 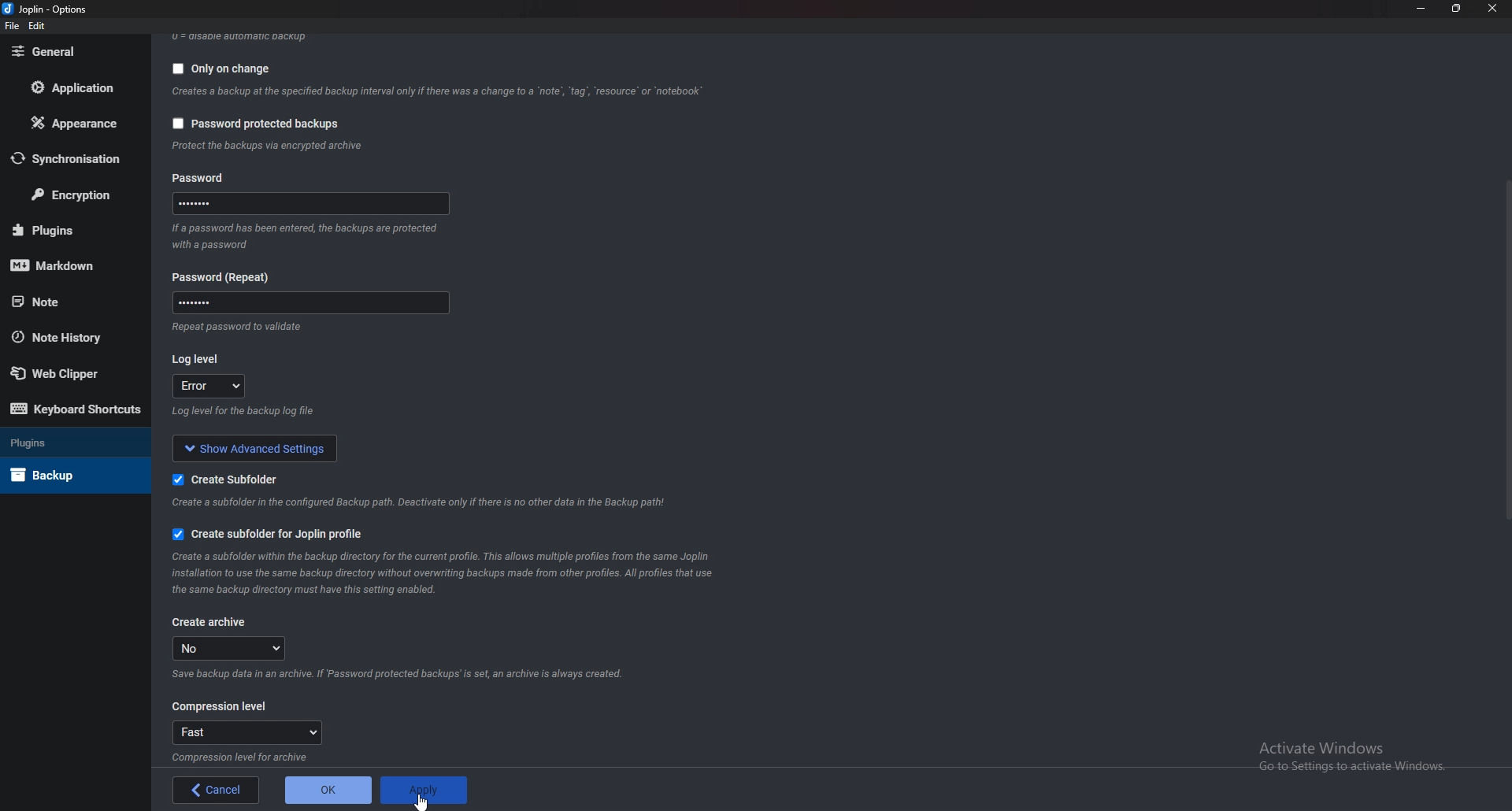 I want to click on Appearance, so click(x=74, y=124).